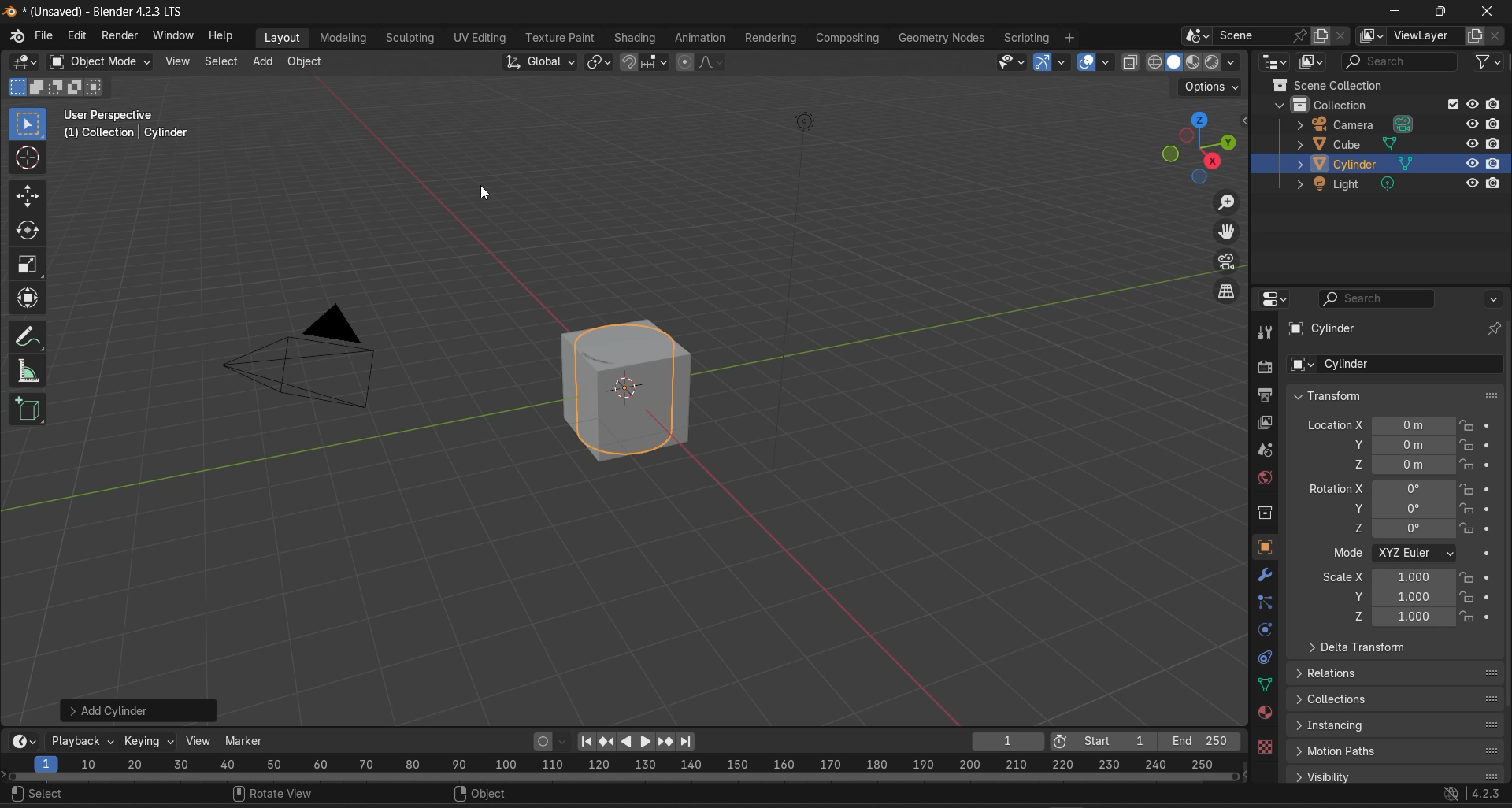 This screenshot has width=1512, height=808. What do you see at coordinates (1495, 104) in the screenshot?
I see `disable in renders` at bounding box center [1495, 104].